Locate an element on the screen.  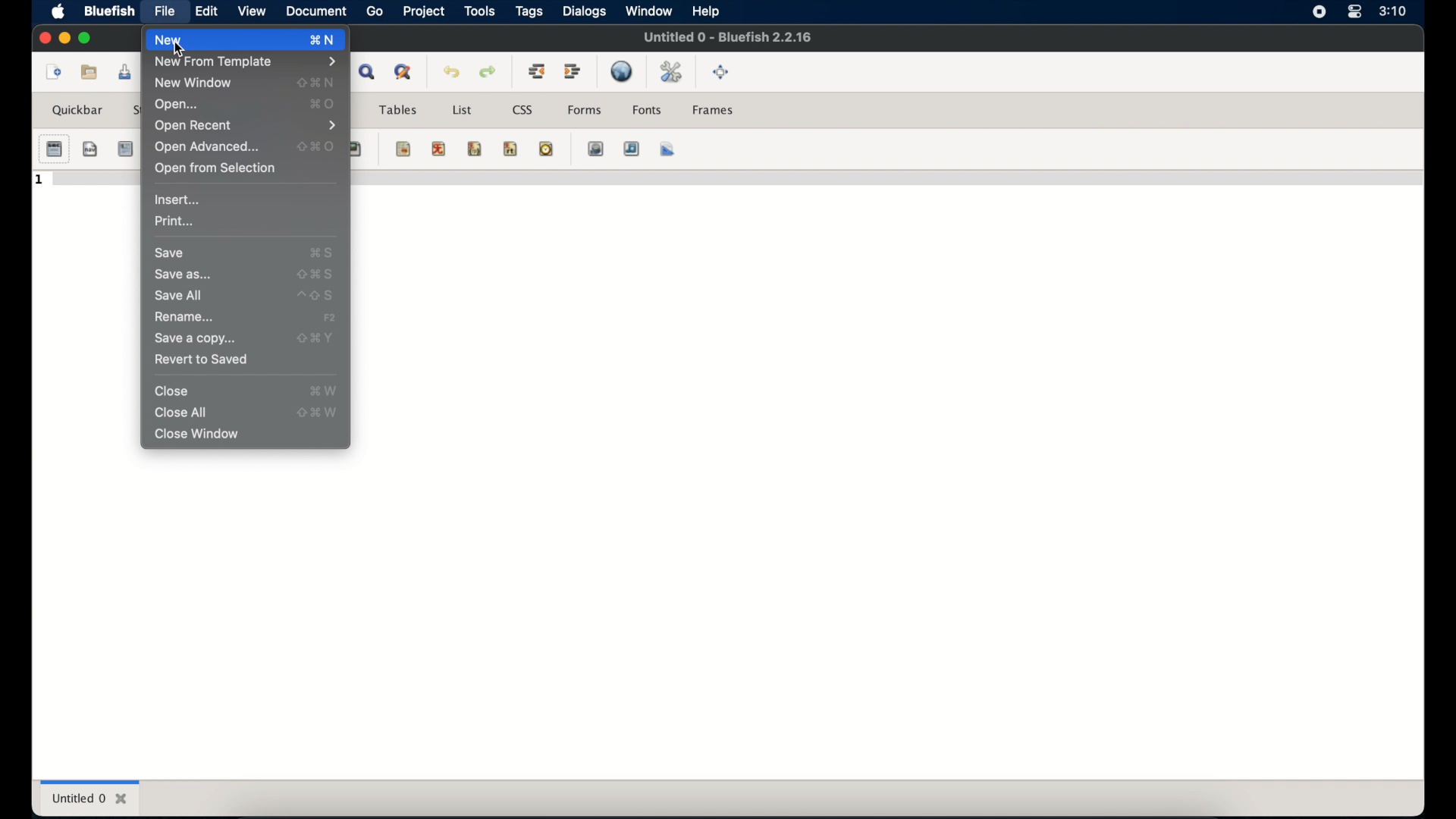
cursor is located at coordinates (180, 51).